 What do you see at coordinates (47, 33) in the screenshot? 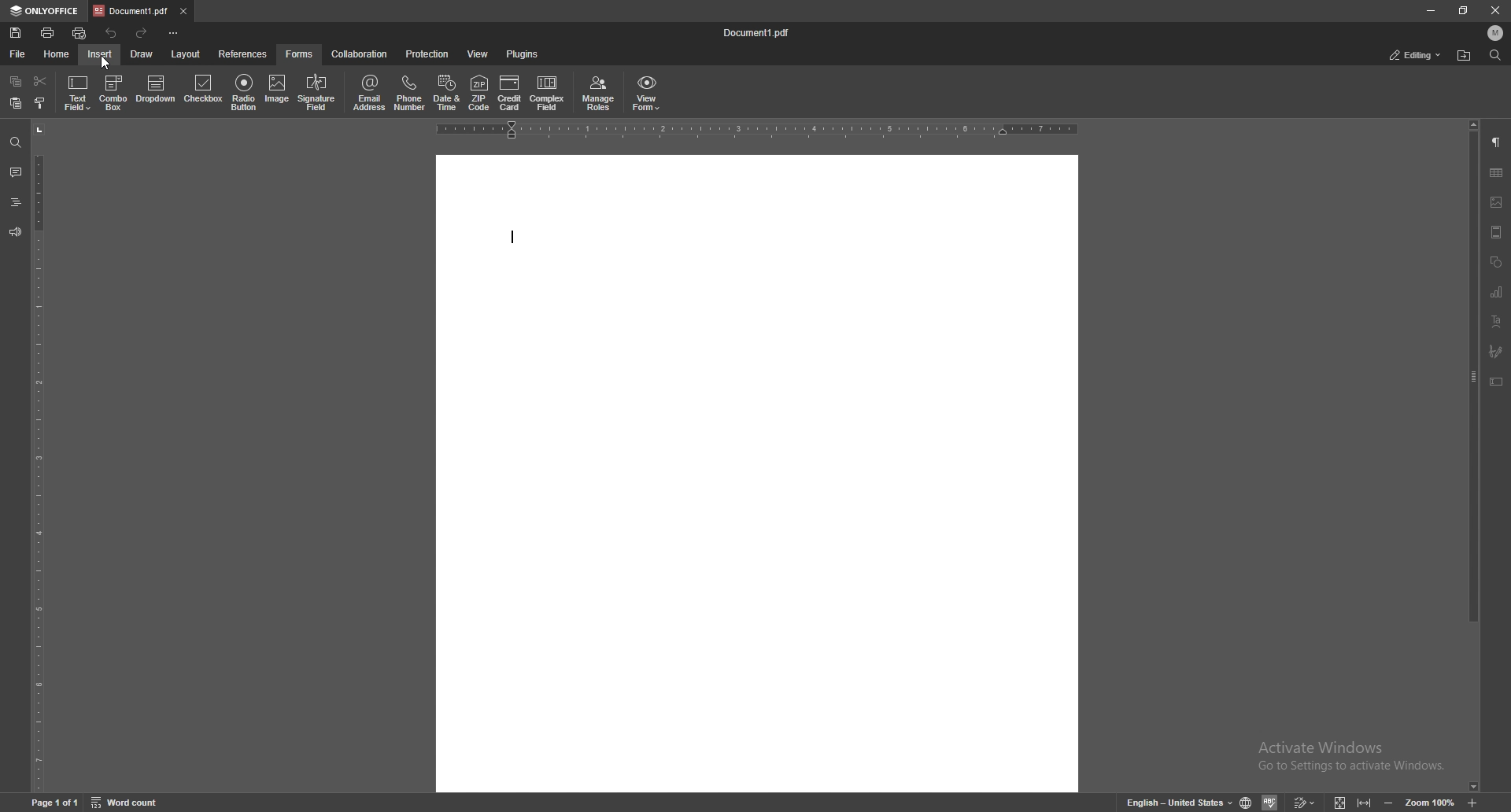
I see `print` at bounding box center [47, 33].